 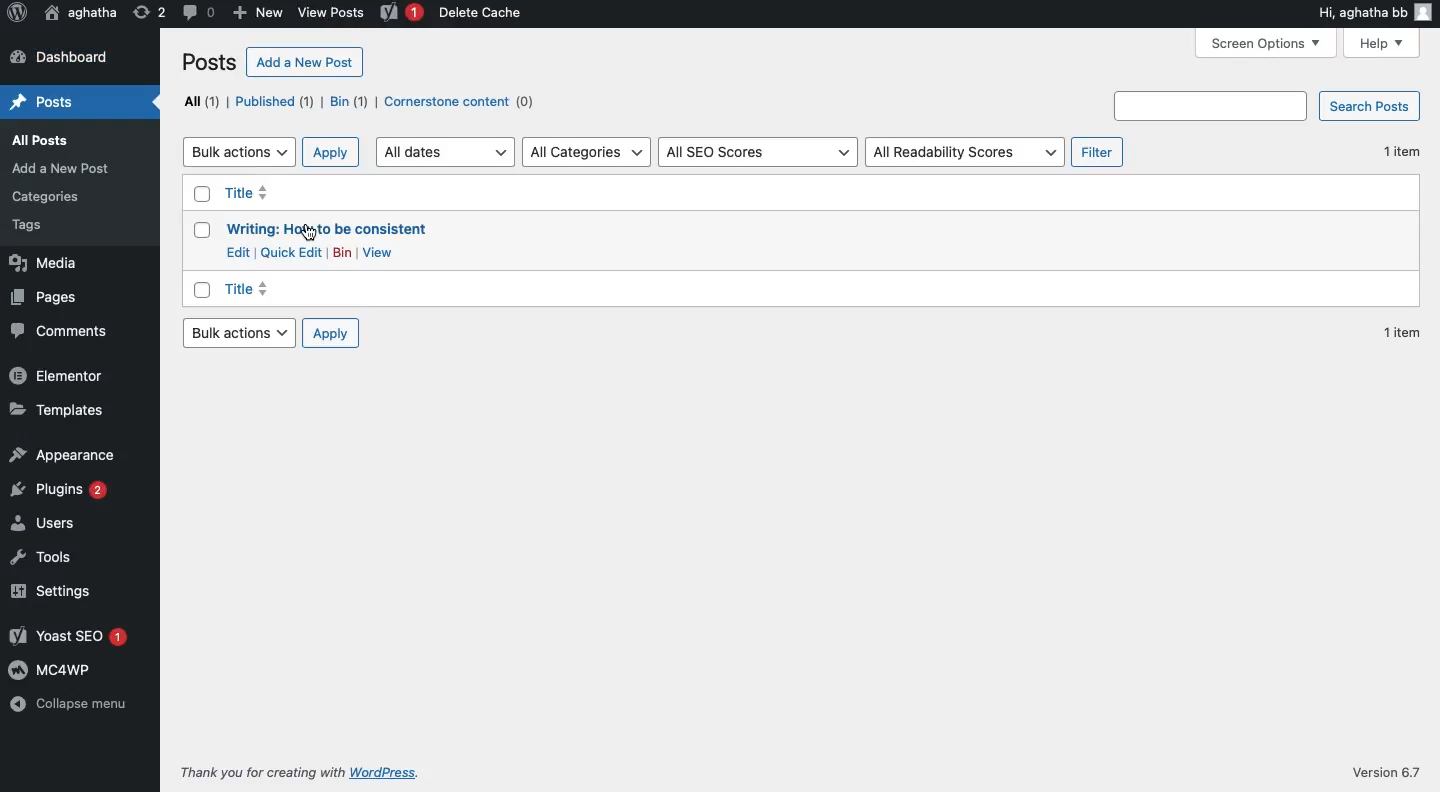 I want to click on Tags, so click(x=28, y=223).